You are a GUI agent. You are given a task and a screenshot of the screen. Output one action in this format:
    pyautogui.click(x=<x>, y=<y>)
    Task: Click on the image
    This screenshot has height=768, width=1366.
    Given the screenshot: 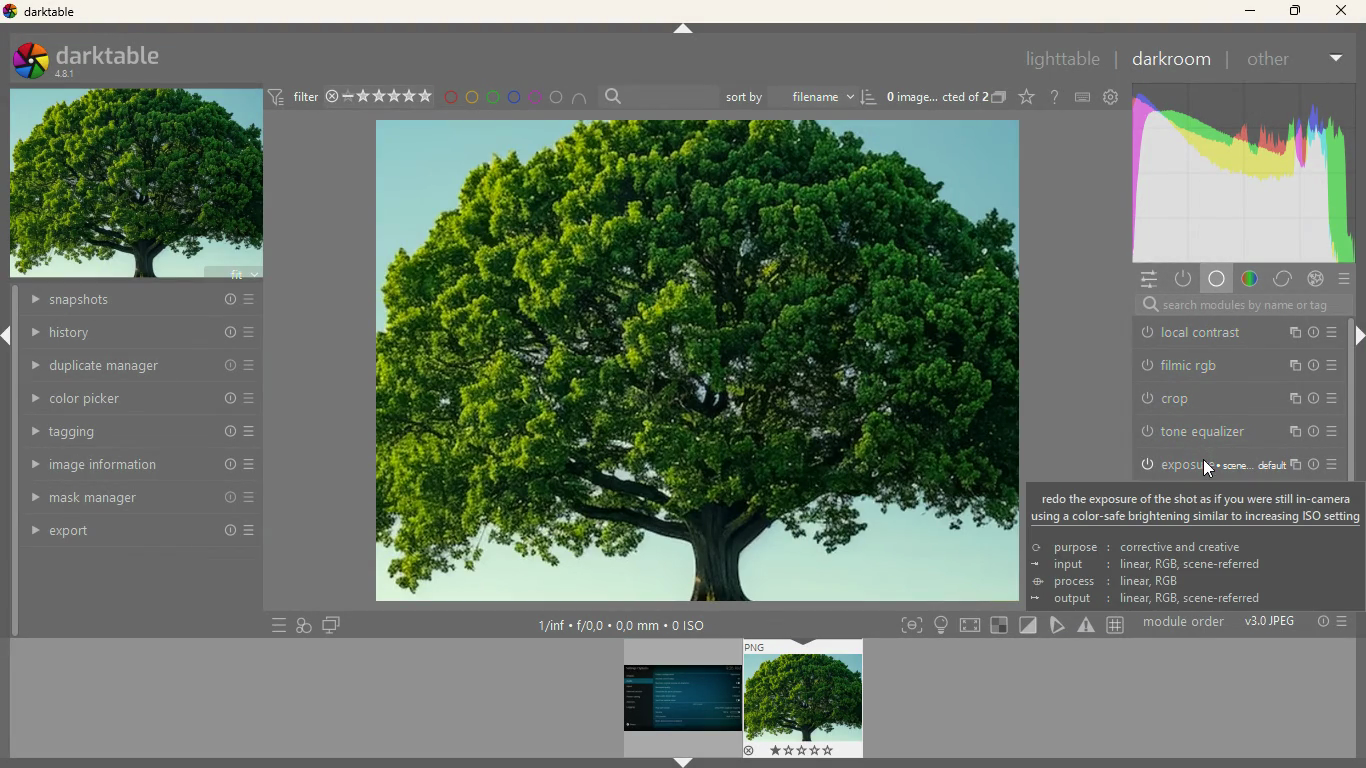 What is the action you would take?
    pyautogui.click(x=698, y=361)
    